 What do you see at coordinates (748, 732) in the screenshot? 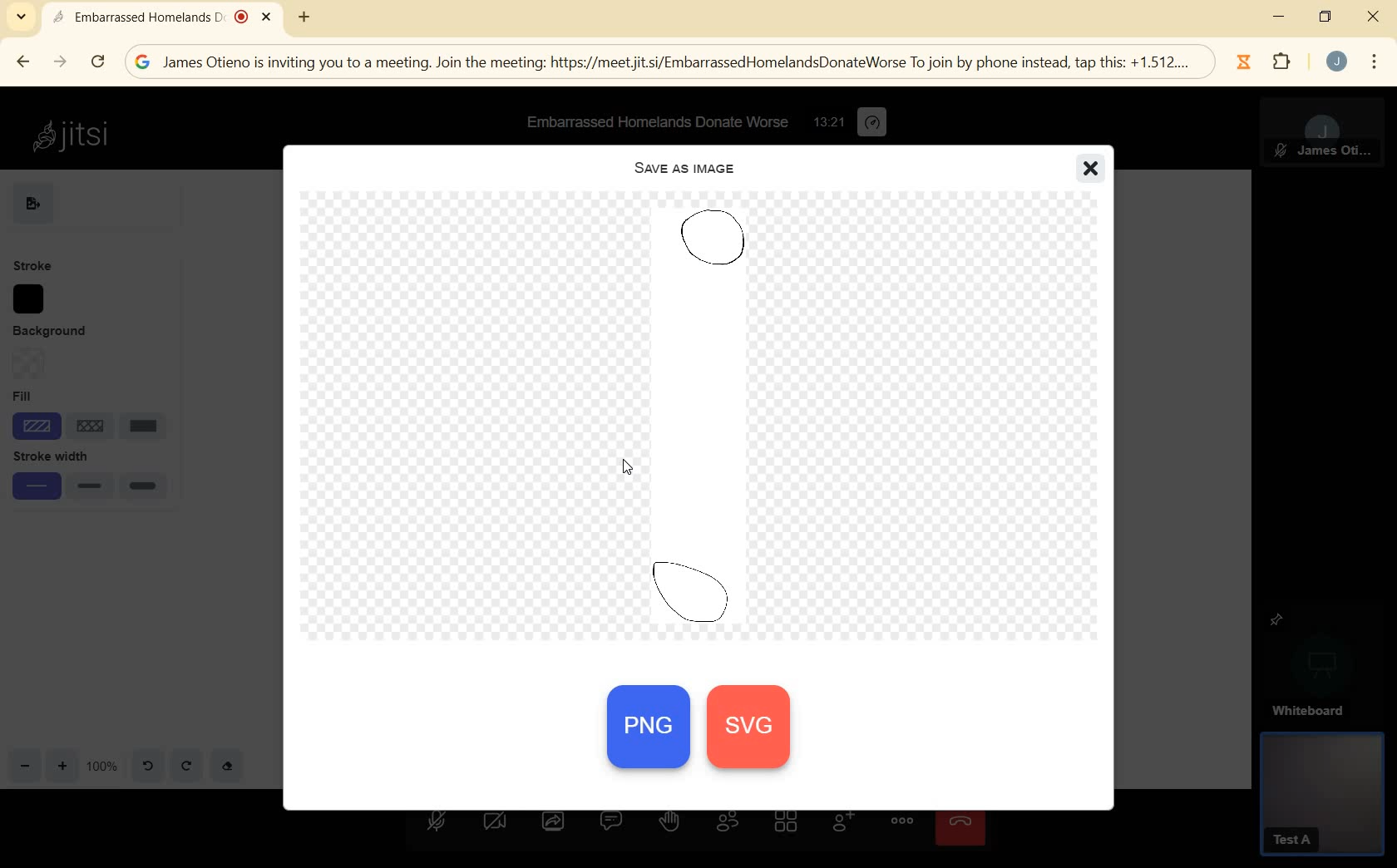
I see `svg` at bounding box center [748, 732].